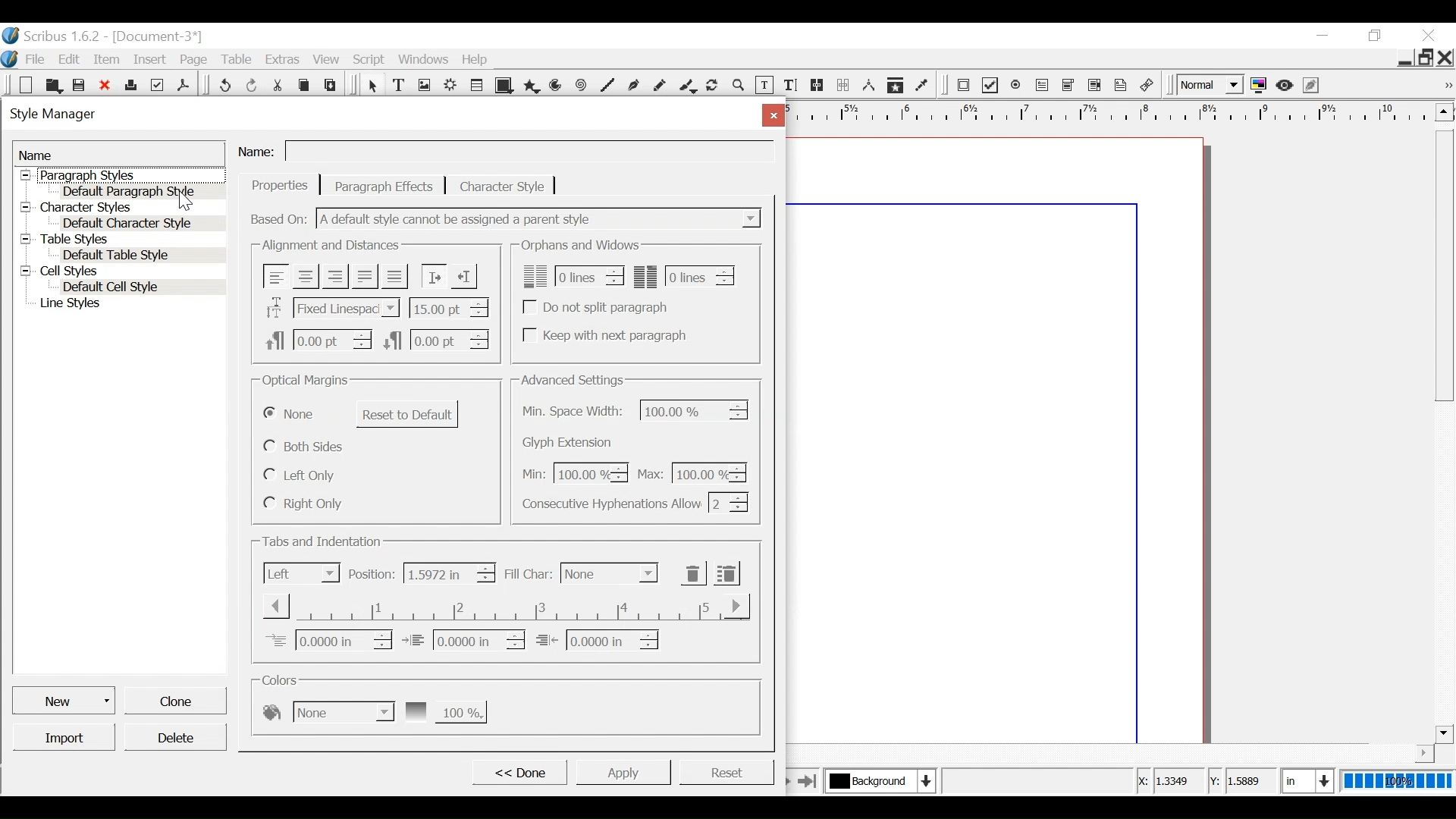  Describe the element at coordinates (281, 59) in the screenshot. I see `Extras` at that location.